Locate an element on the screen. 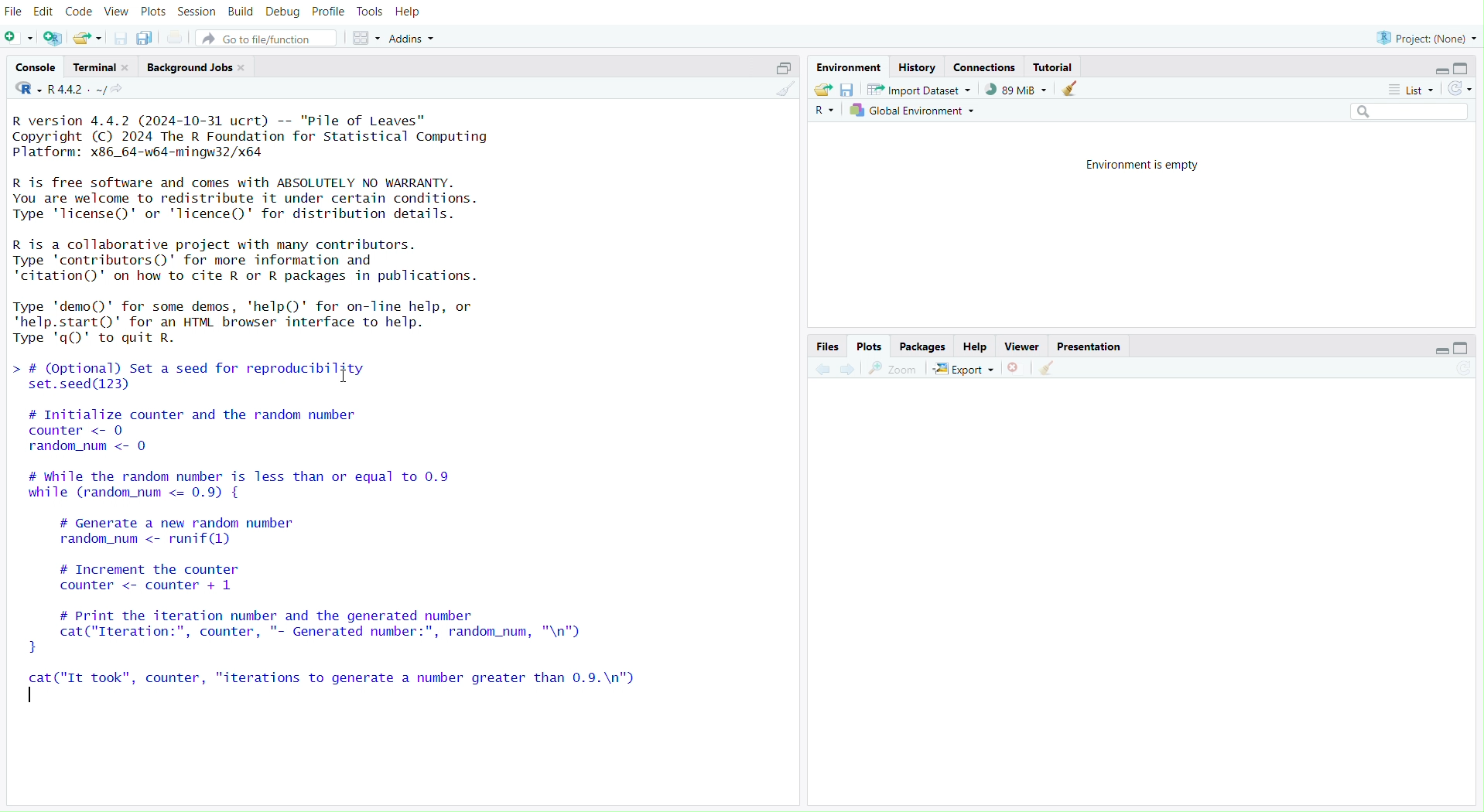 The width and height of the screenshot is (1484, 812). Maximize is located at coordinates (782, 66).